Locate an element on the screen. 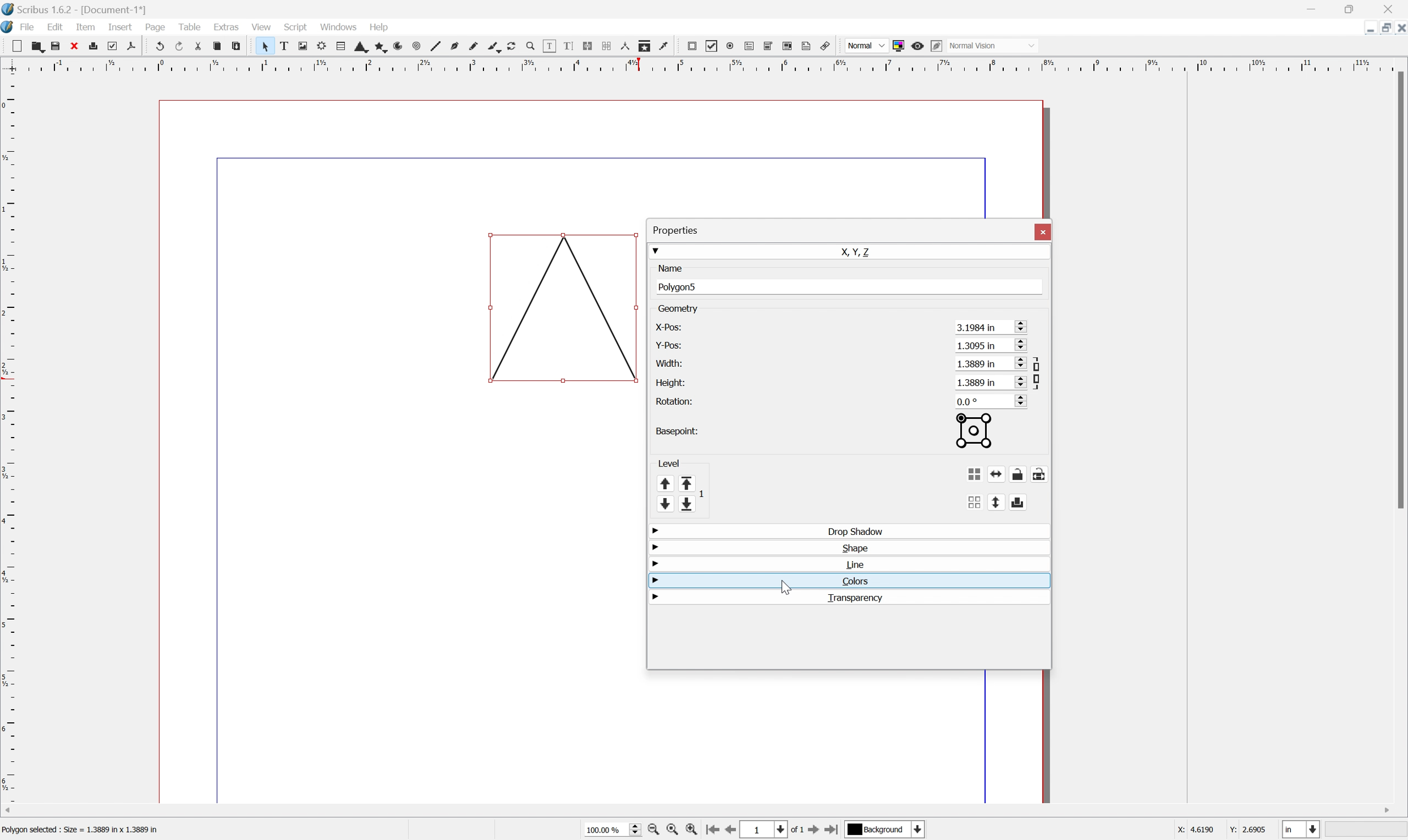 The width and height of the screenshot is (1408, 840). X-pos: is located at coordinates (668, 327).